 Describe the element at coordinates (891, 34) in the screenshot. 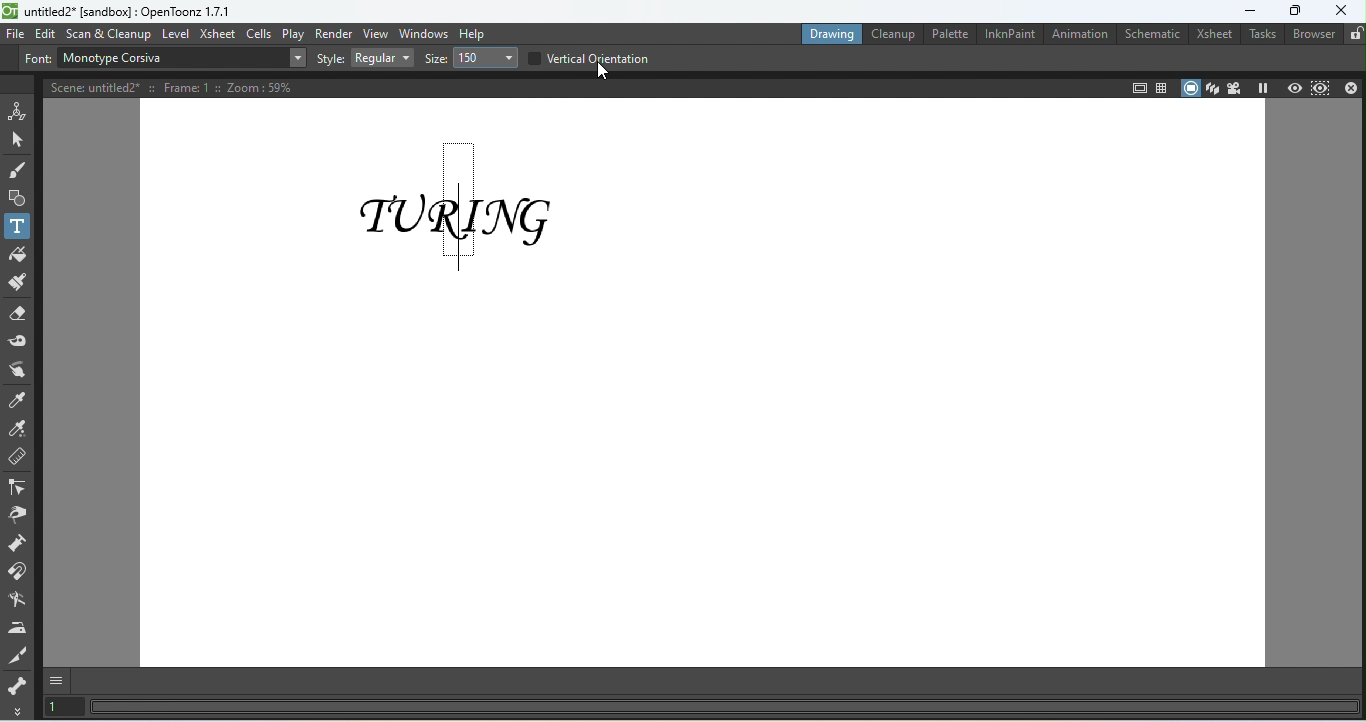

I see `Cleanup` at that location.